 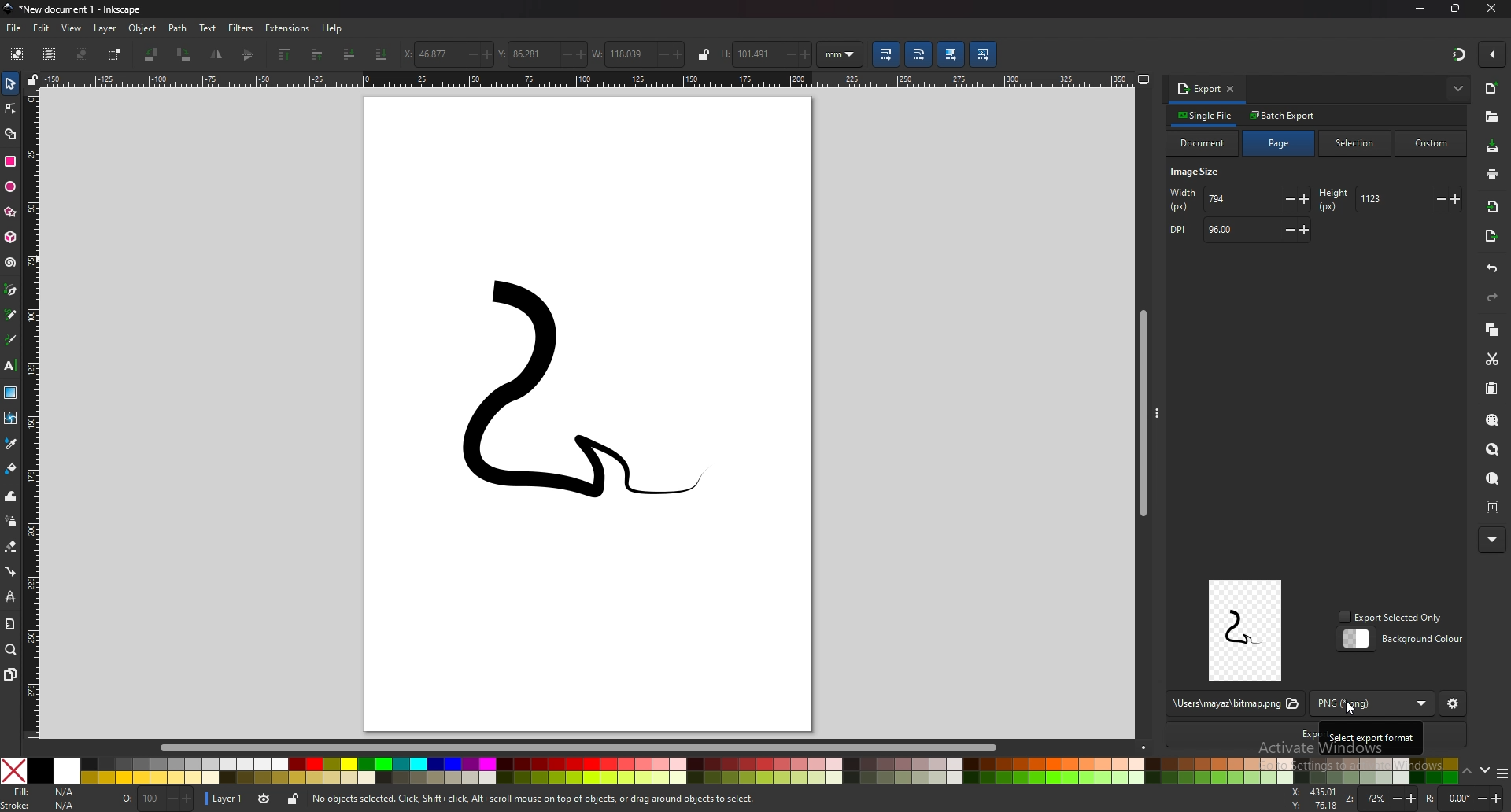 What do you see at coordinates (1464, 798) in the screenshot?
I see `rotation` at bounding box center [1464, 798].